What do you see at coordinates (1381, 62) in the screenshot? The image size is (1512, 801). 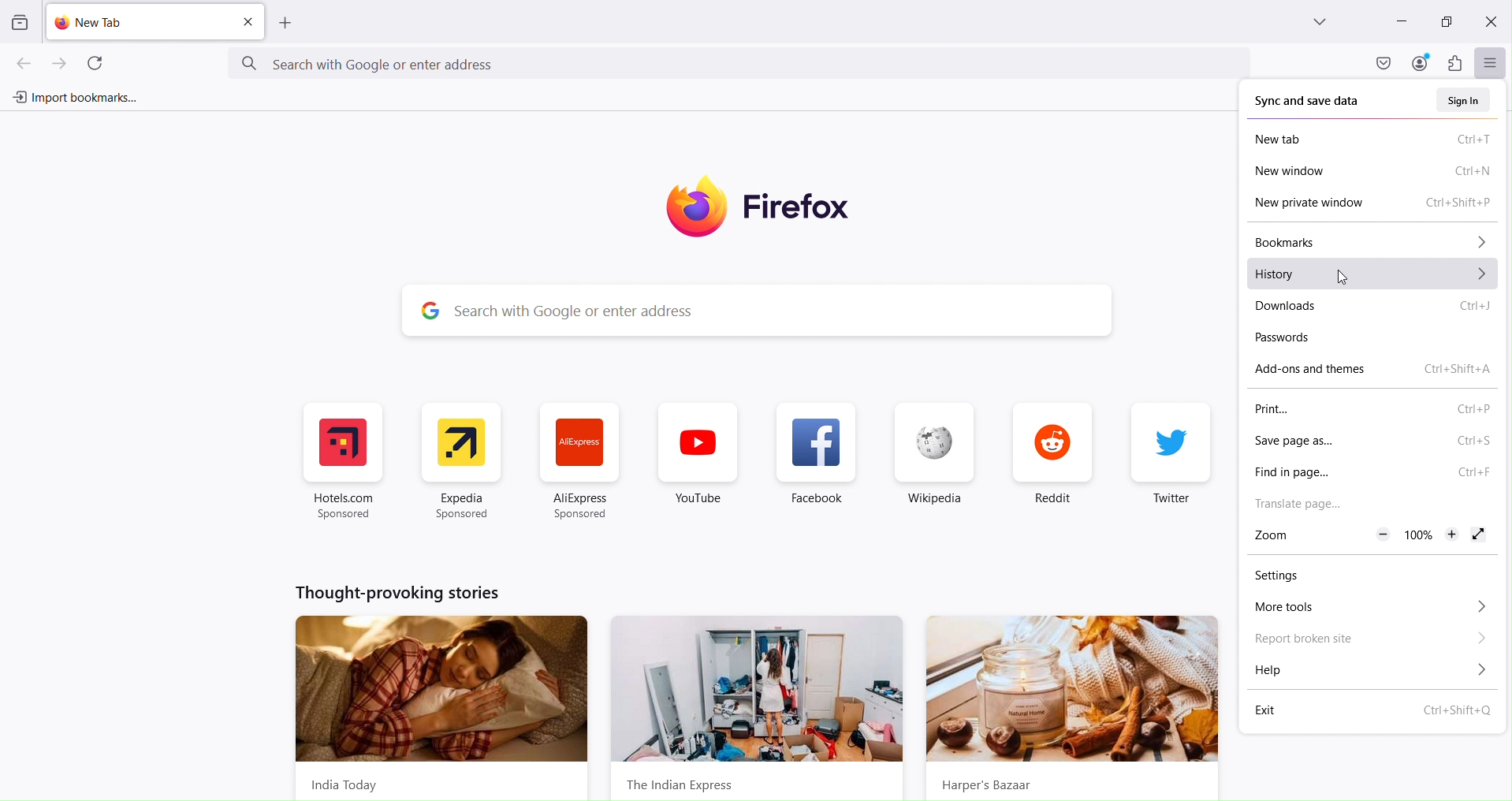 I see `Save to pocket` at bounding box center [1381, 62].